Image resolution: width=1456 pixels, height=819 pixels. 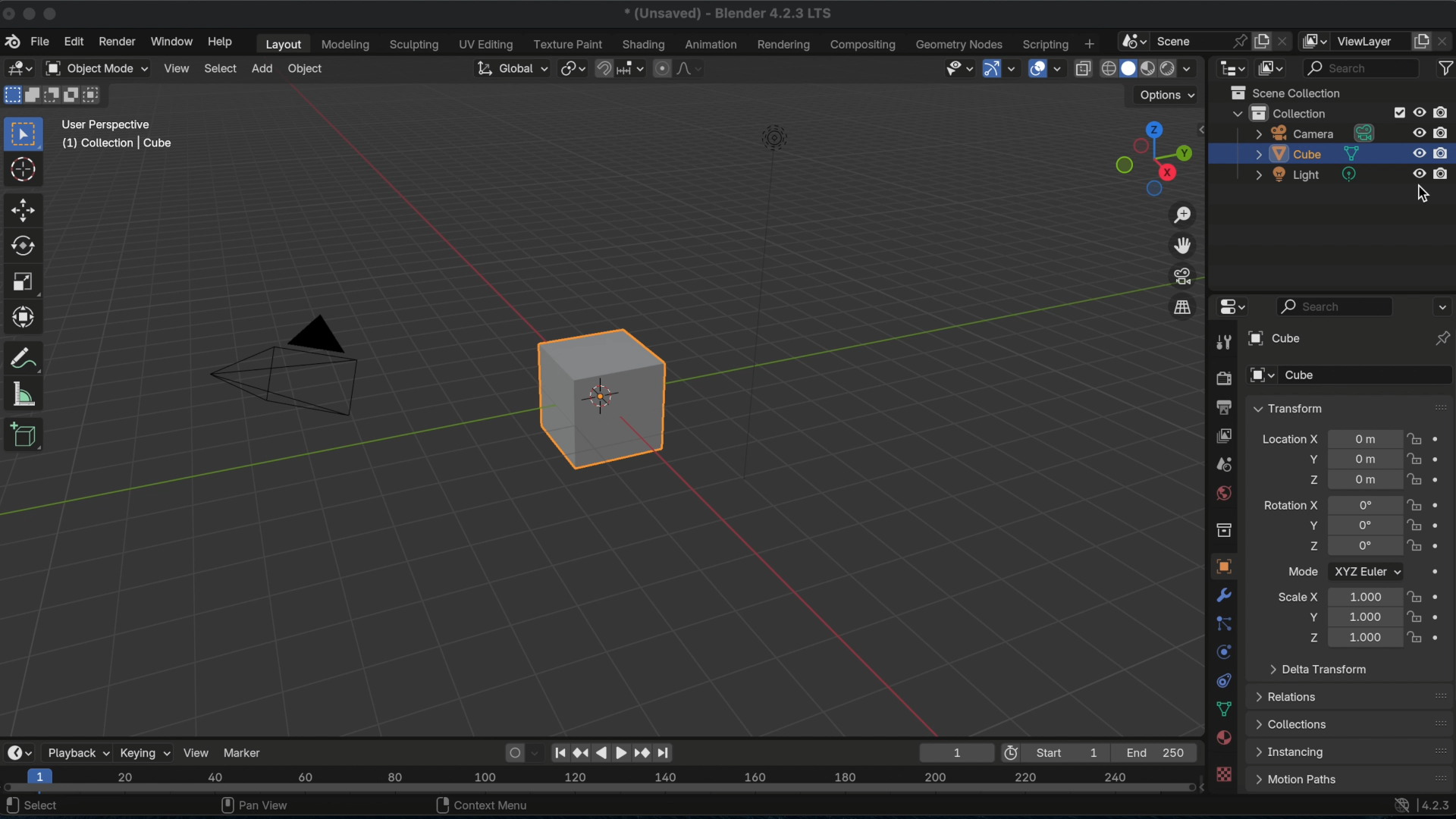 What do you see at coordinates (1222, 566) in the screenshot?
I see `object` at bounding box center [1222, 566].